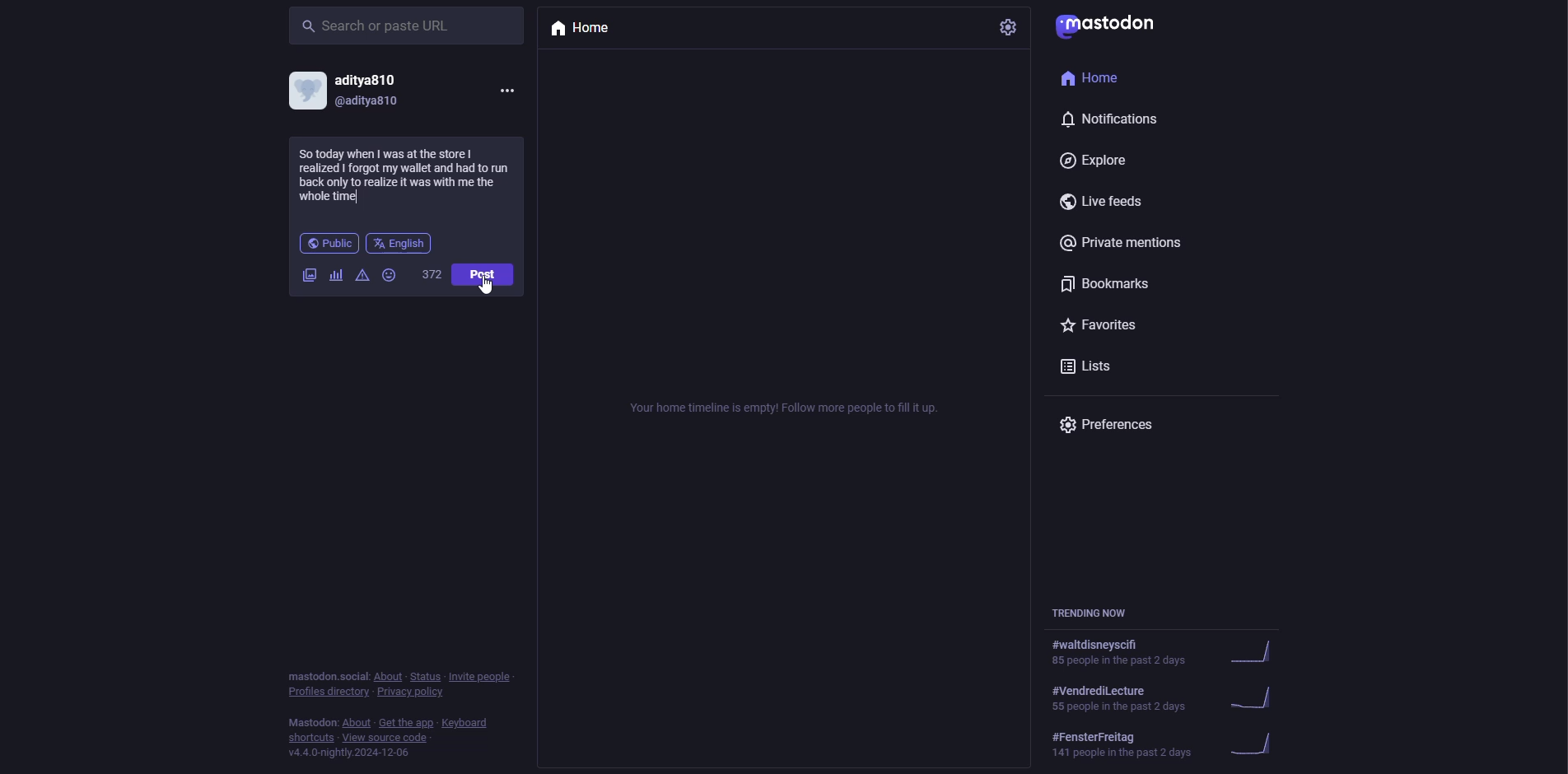 The image size is (1568, 774). I want to click on english, so click(399, 243).